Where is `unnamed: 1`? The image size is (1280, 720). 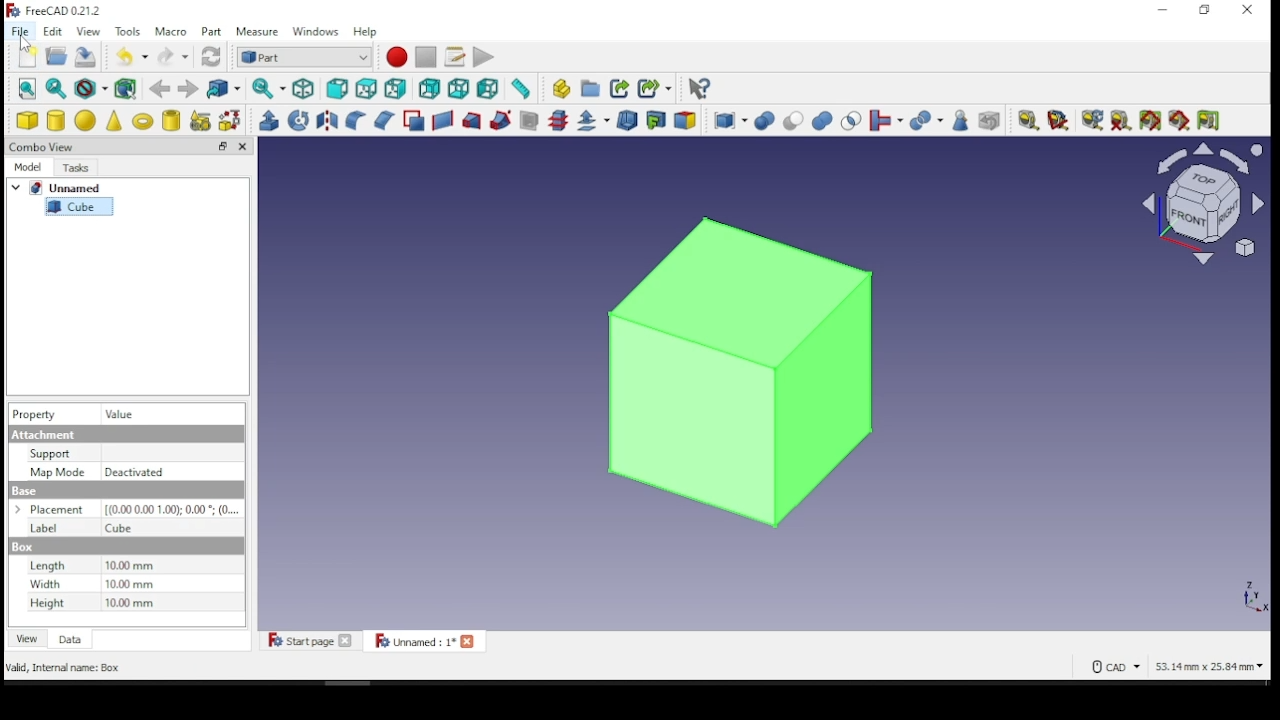
unnamed: 1 is located at coordinates (425, 640).